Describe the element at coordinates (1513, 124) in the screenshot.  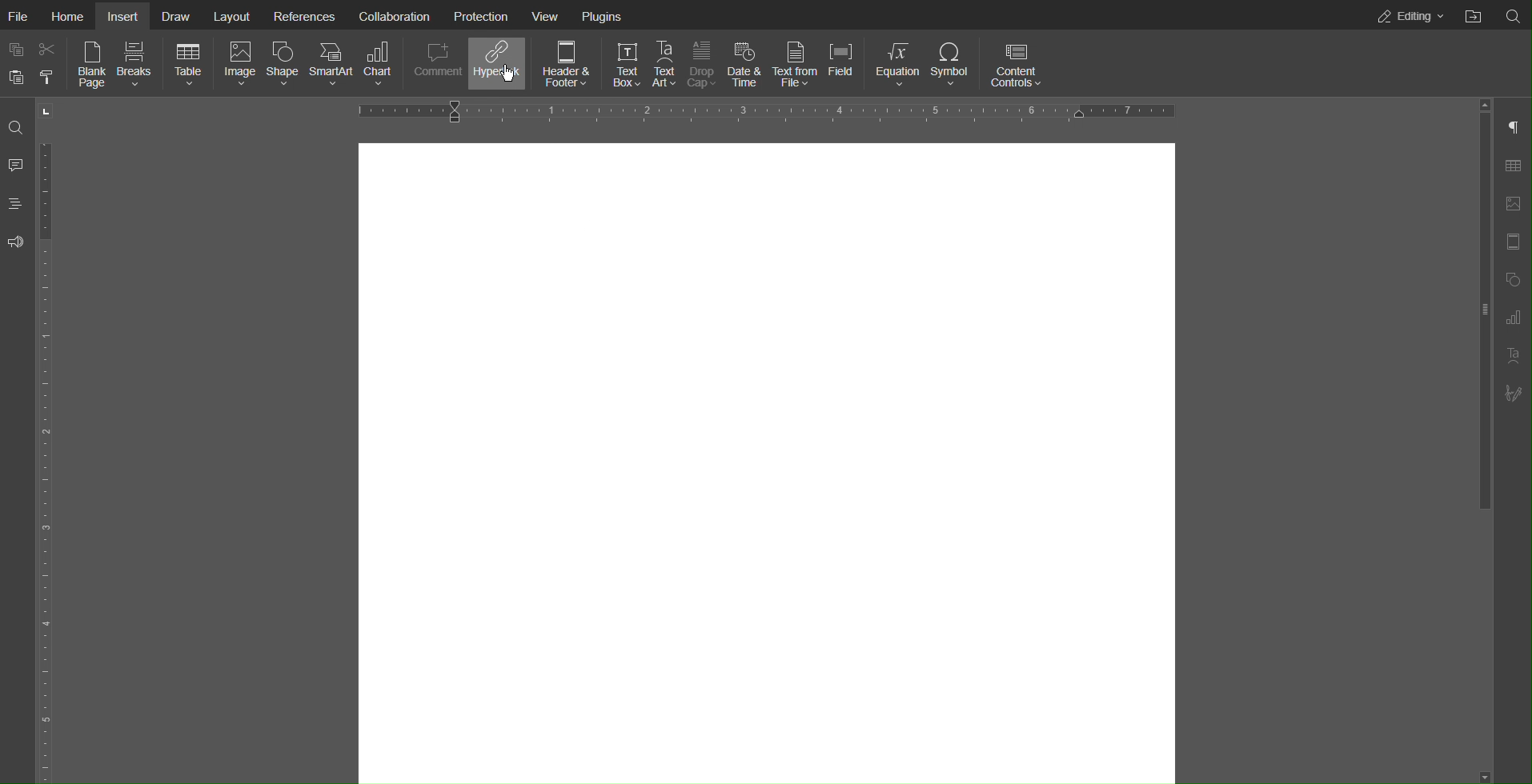
I see `Paragraph Settings` at that location.